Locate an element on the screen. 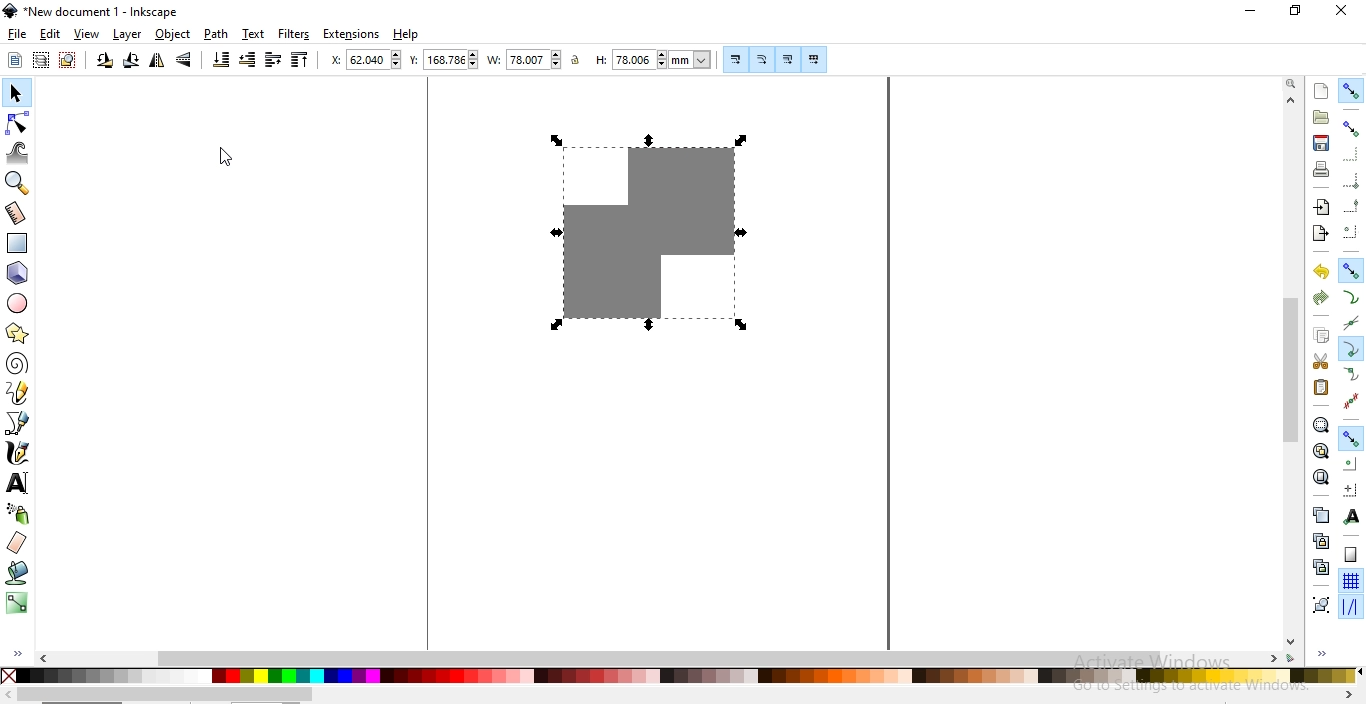  text is located at coordinates (253, 33).